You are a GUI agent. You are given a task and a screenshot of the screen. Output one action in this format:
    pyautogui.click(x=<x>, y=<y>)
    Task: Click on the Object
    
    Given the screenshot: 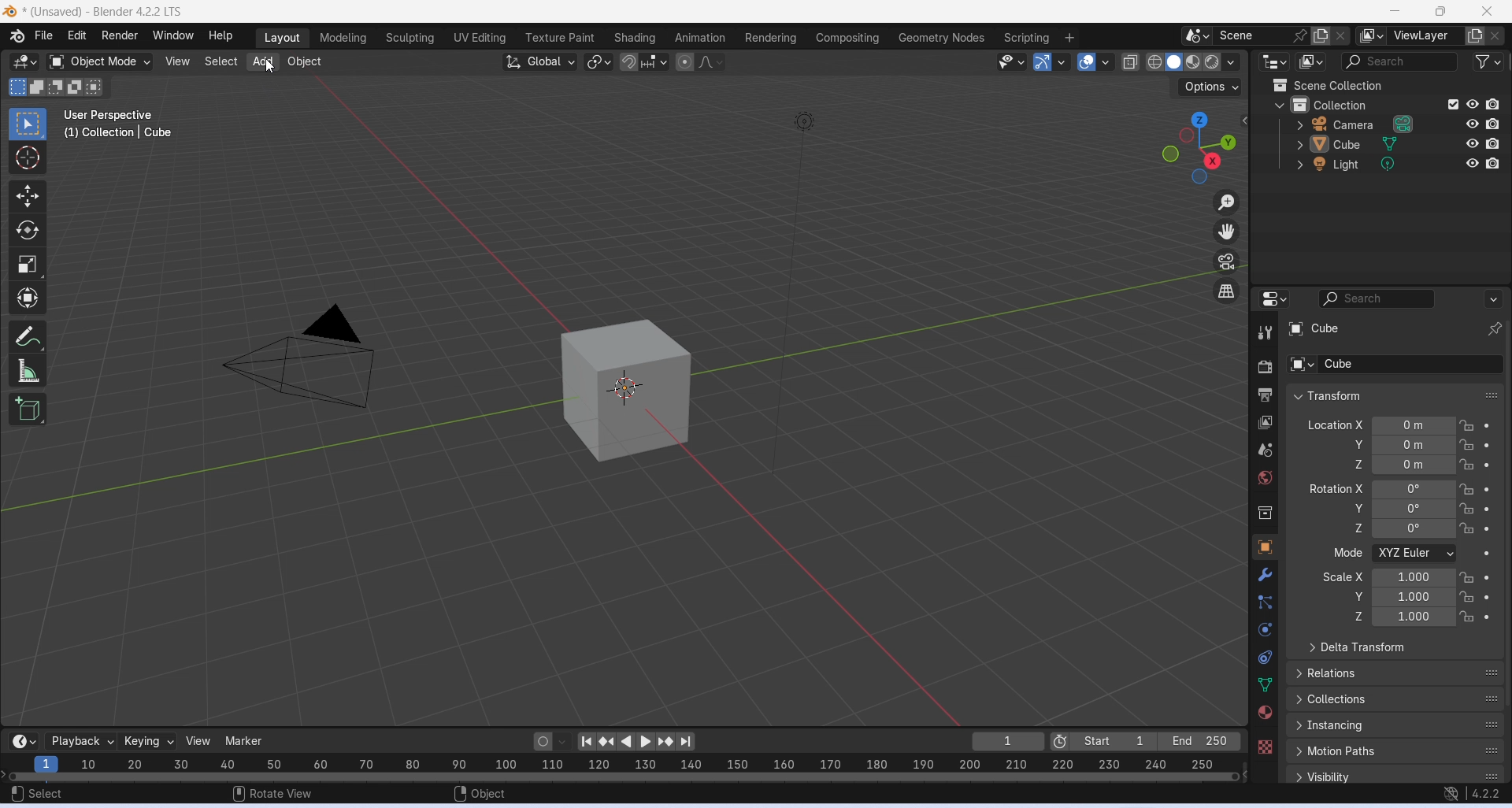 What is the action you would take?
    pyautogui.click(x=304, y=62)
    